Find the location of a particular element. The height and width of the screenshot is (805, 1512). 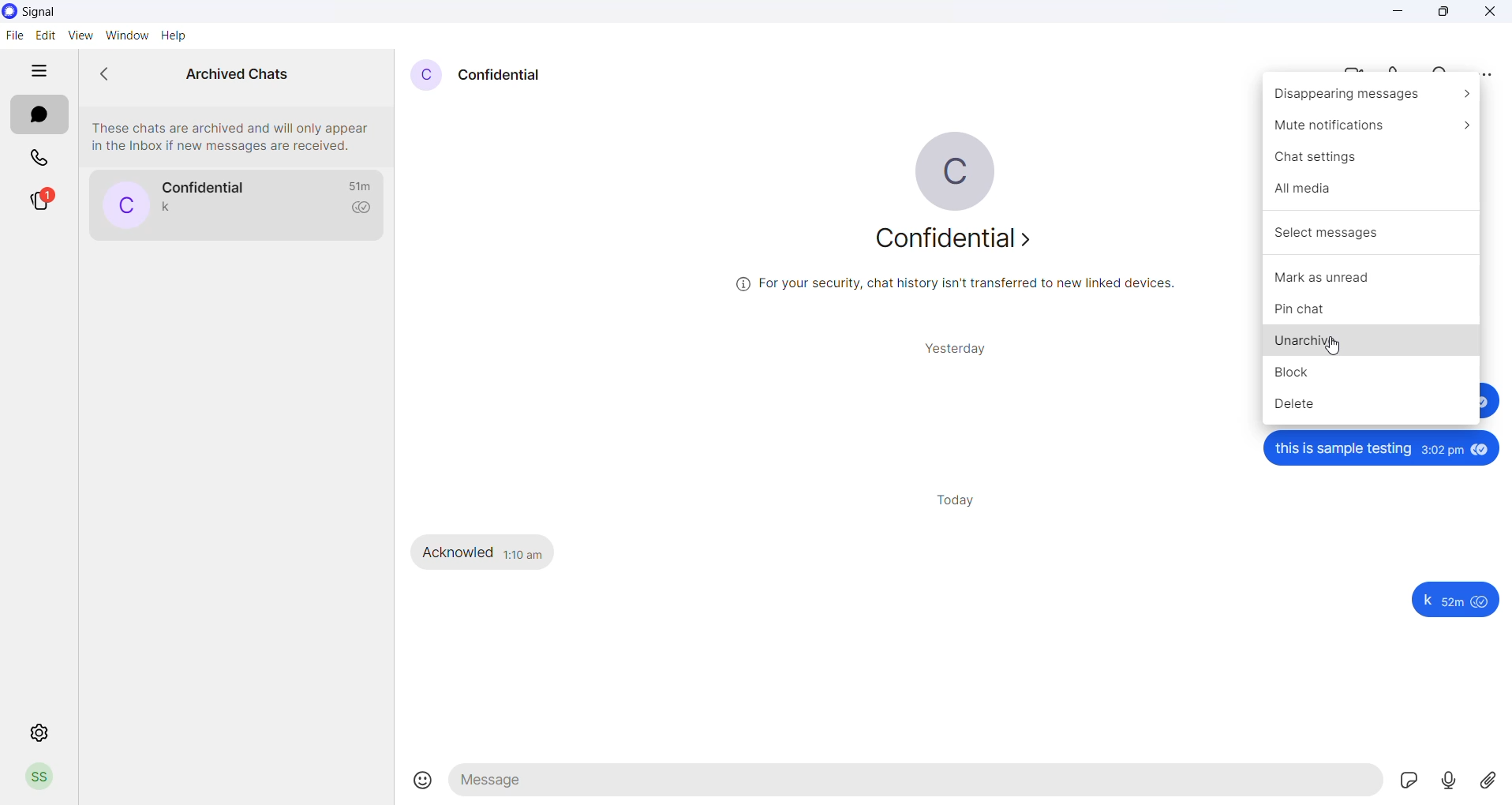

security related text is located at coordinates (964, 287).